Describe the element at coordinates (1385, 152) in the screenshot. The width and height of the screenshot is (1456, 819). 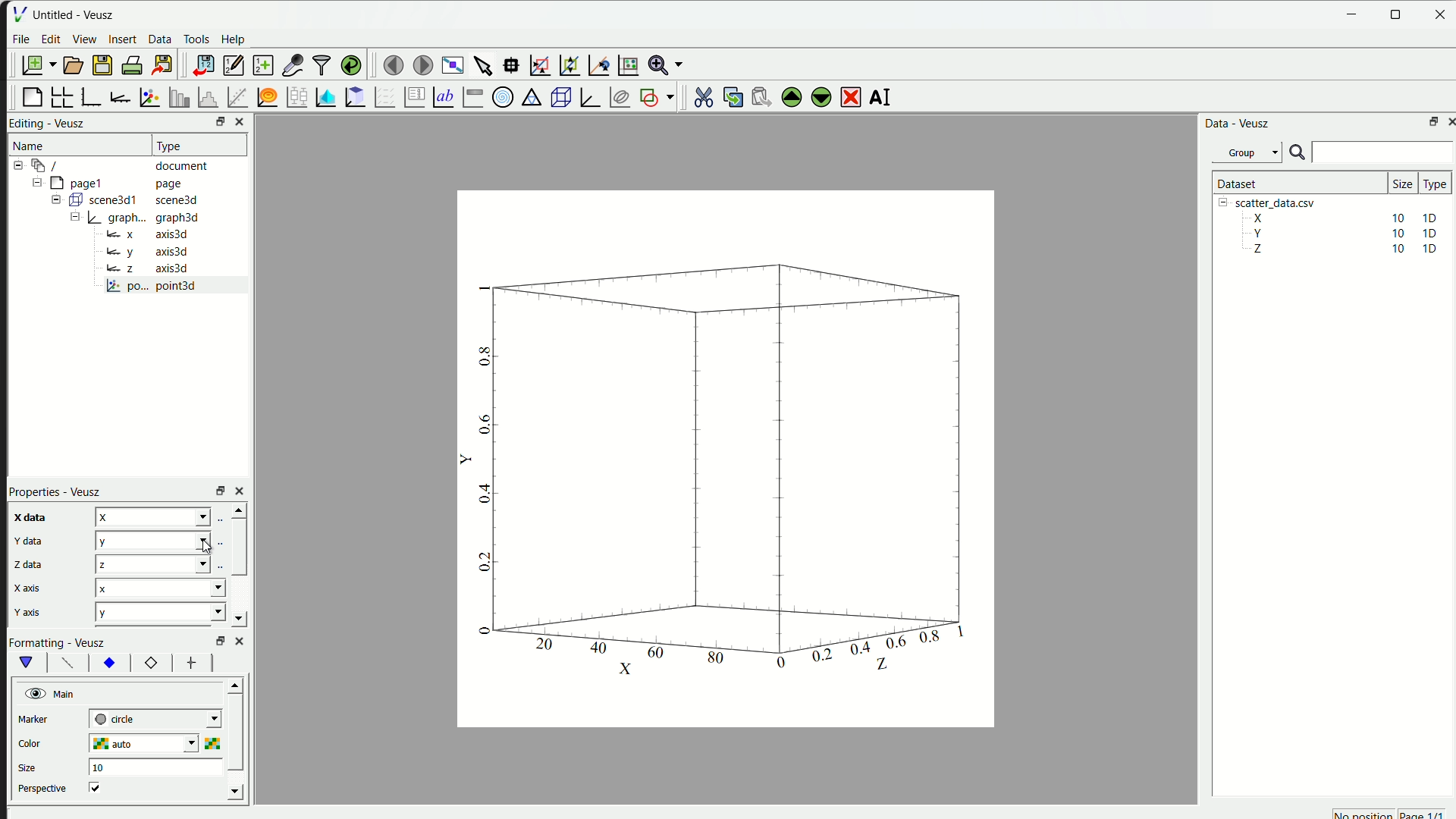
I see `search bar` at that location.